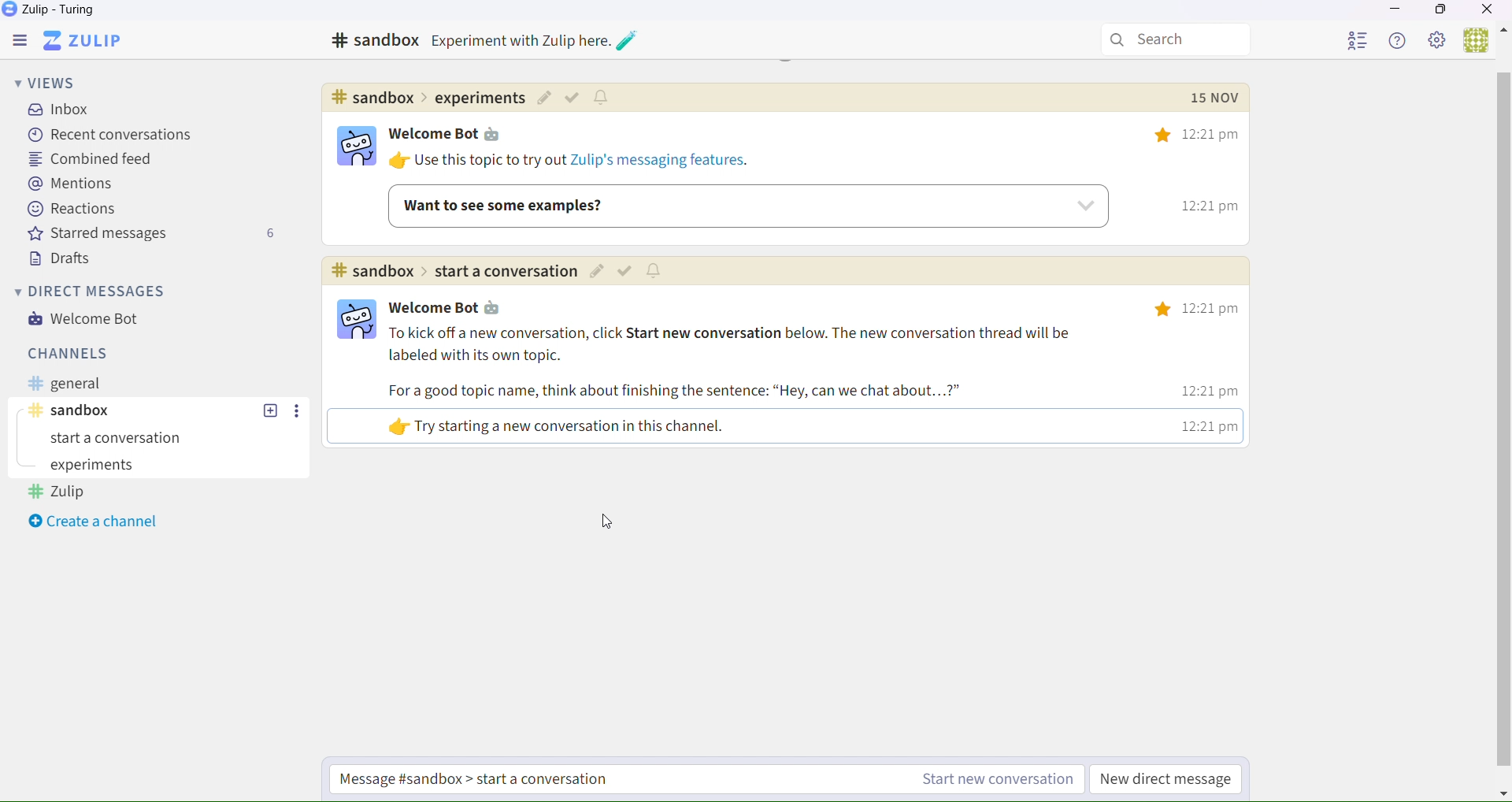 This screenshot has width=1512, height=802. I want to click on Welcome bot, so click(92, 322).